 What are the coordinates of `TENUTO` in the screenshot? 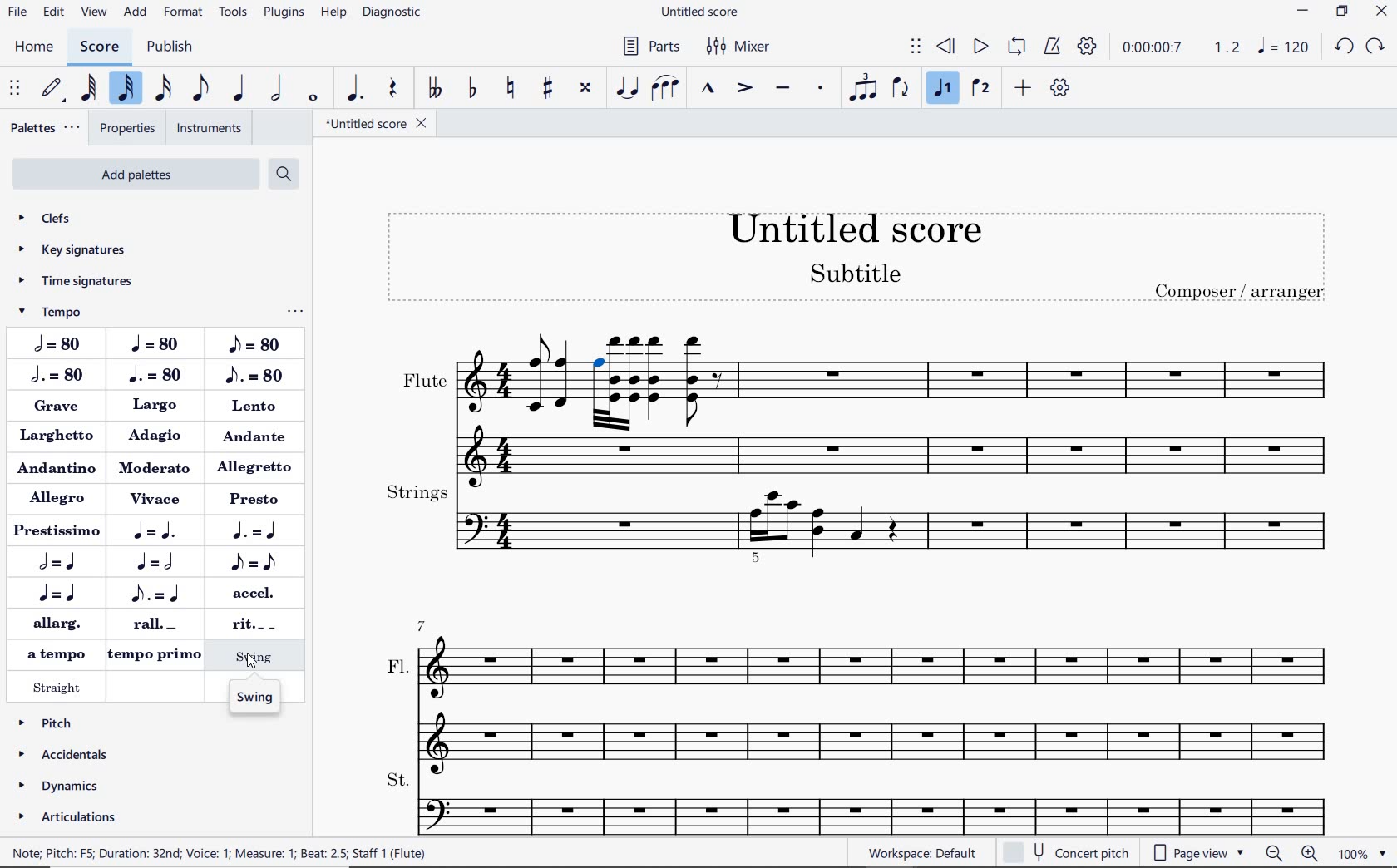 It's located at (785, 89).